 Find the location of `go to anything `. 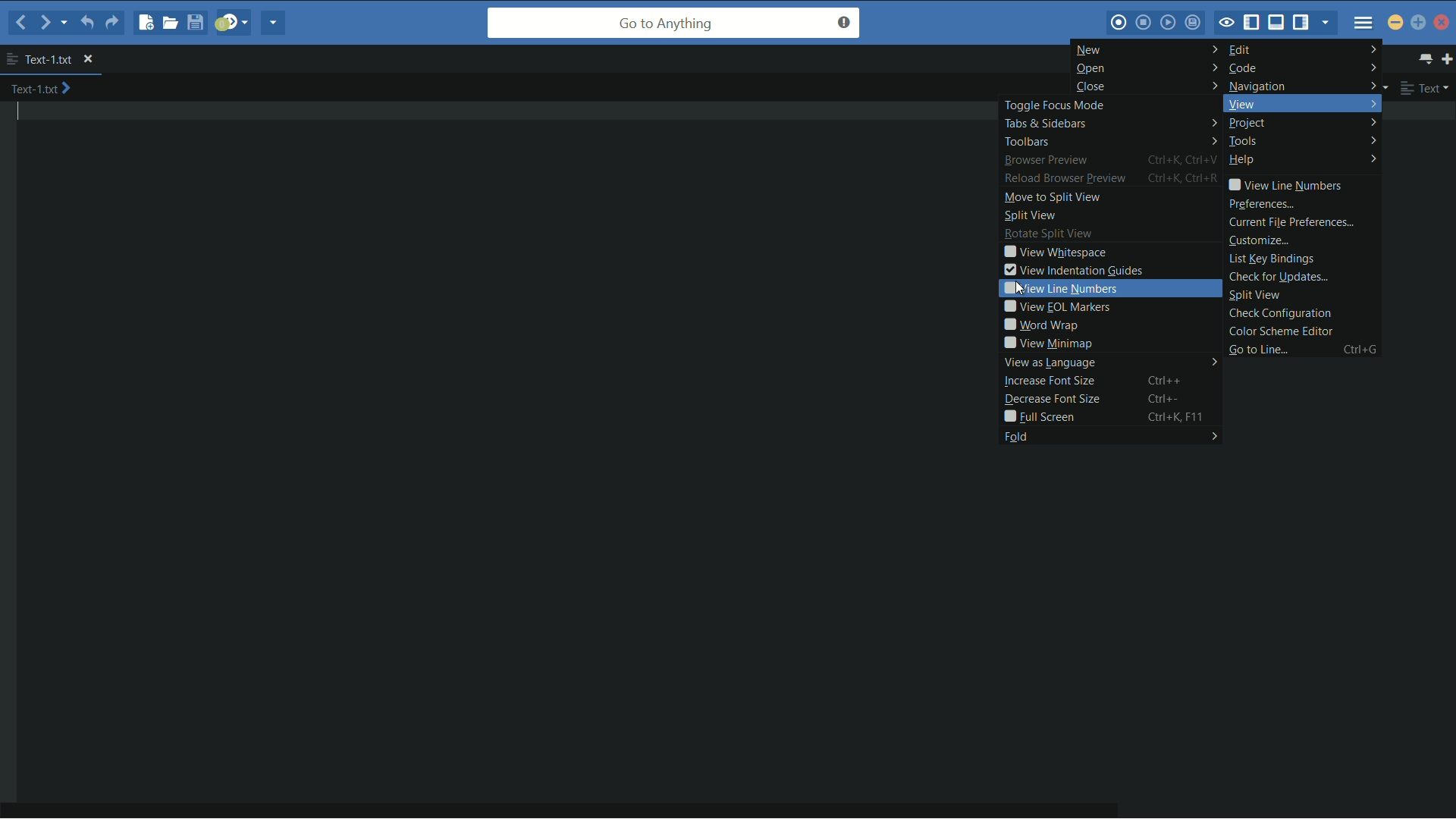

go to anything  is located at coordinates (674, 24).